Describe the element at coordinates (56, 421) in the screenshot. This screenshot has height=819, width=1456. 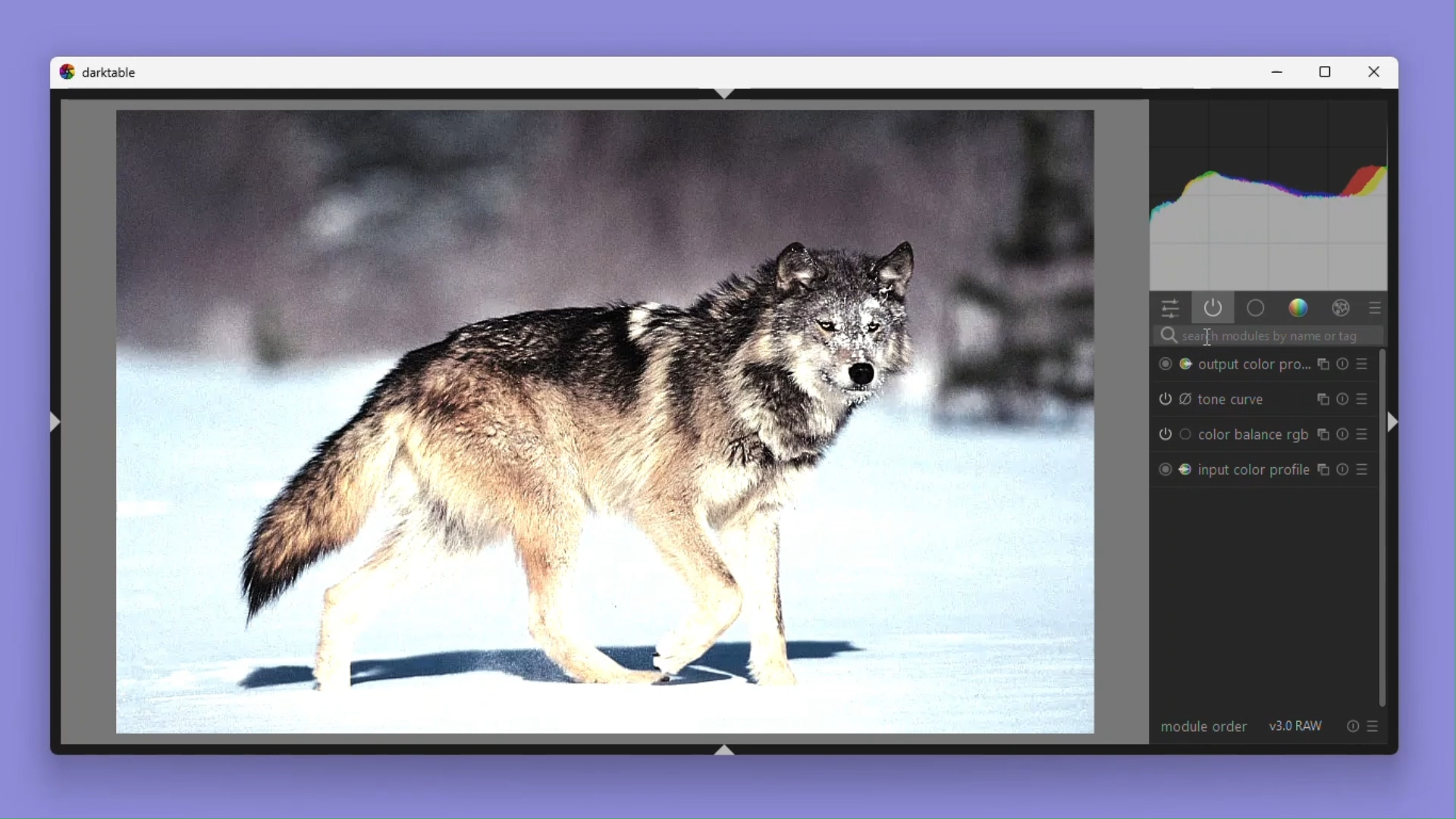
I see `shift+ctrl+l` at that location.